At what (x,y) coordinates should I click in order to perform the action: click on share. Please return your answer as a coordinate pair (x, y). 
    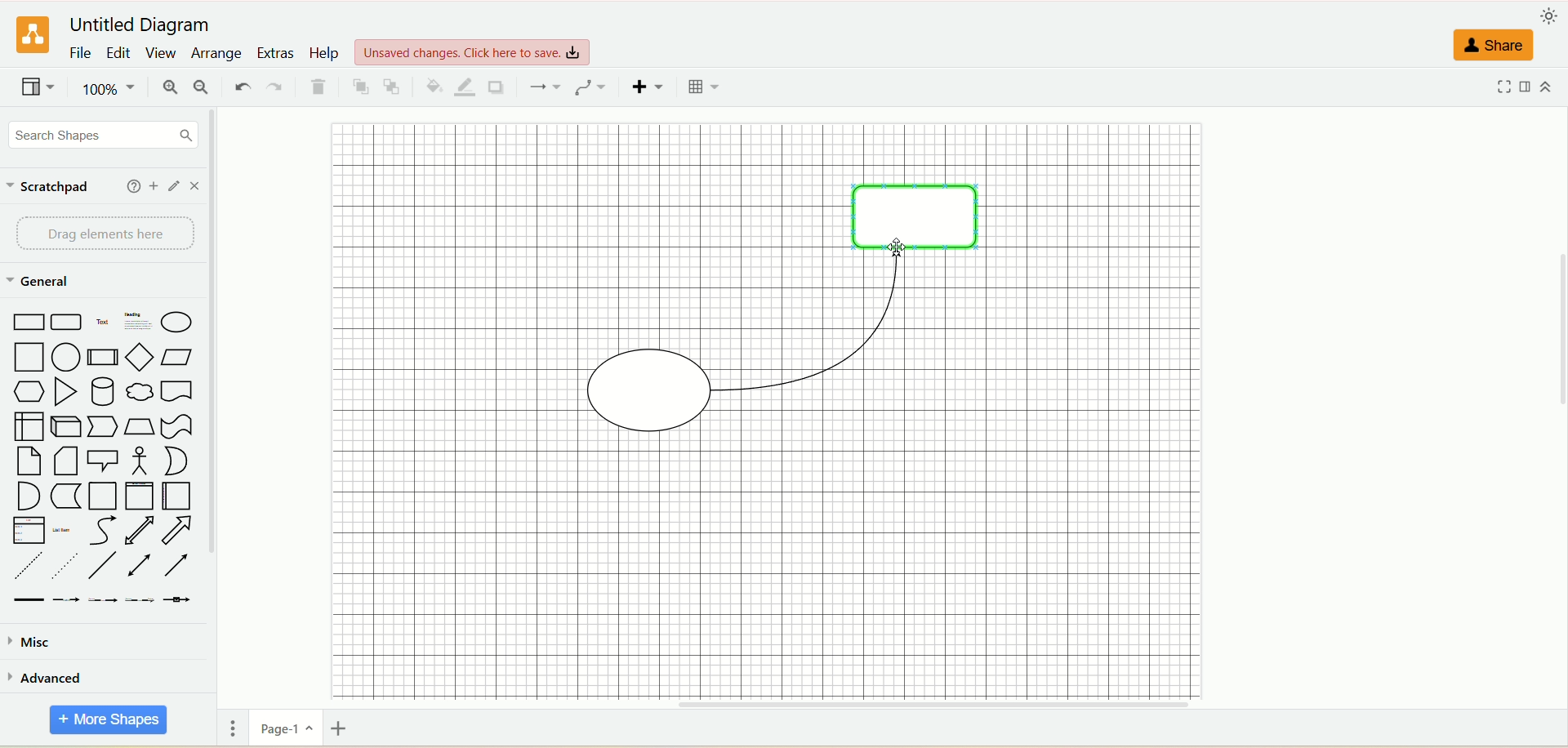
    Looking at the image, I should click on (1495, 42).